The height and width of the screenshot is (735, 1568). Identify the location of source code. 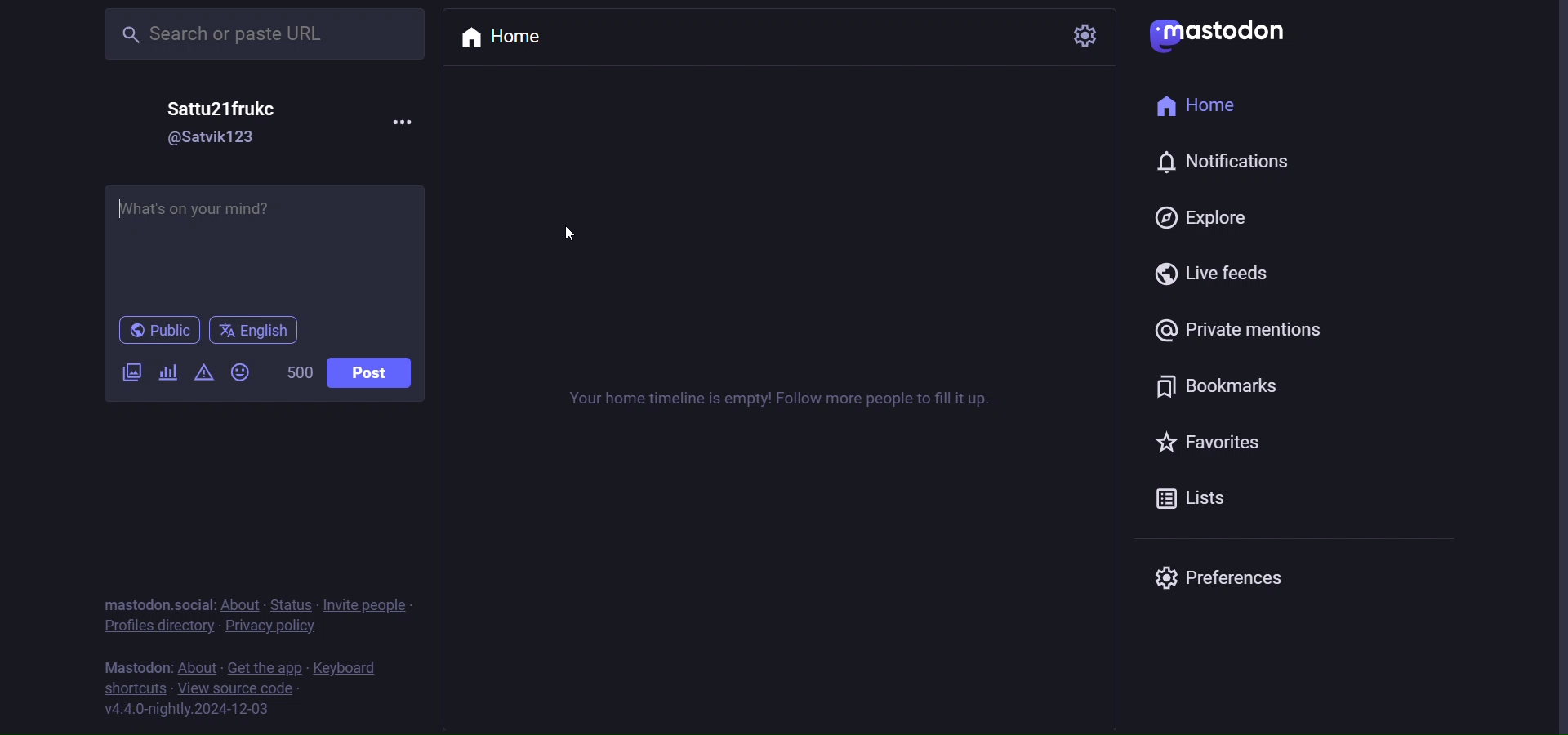
(240, 688).